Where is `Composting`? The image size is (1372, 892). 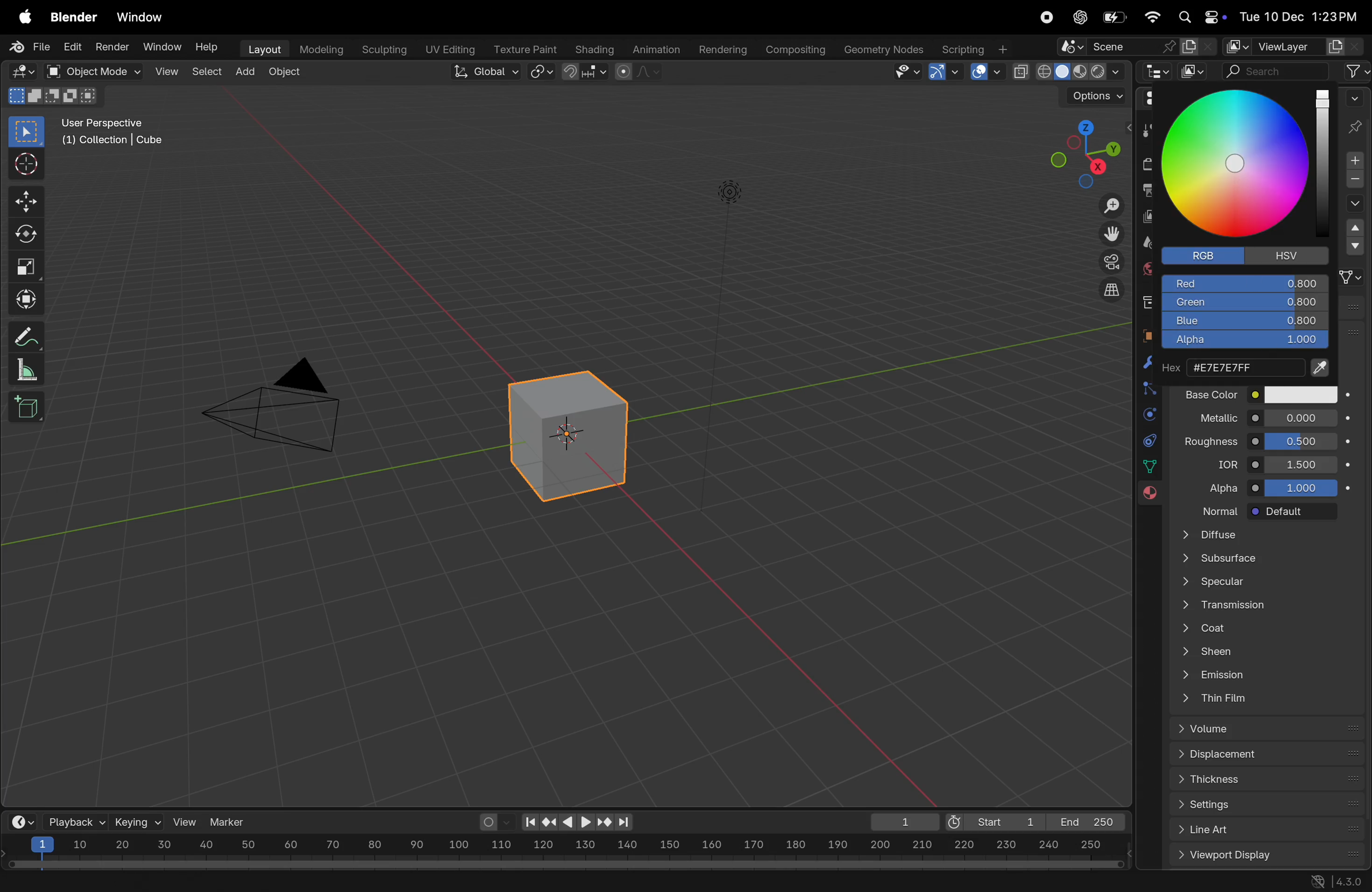 Composting is located at coordinates (796, 50).